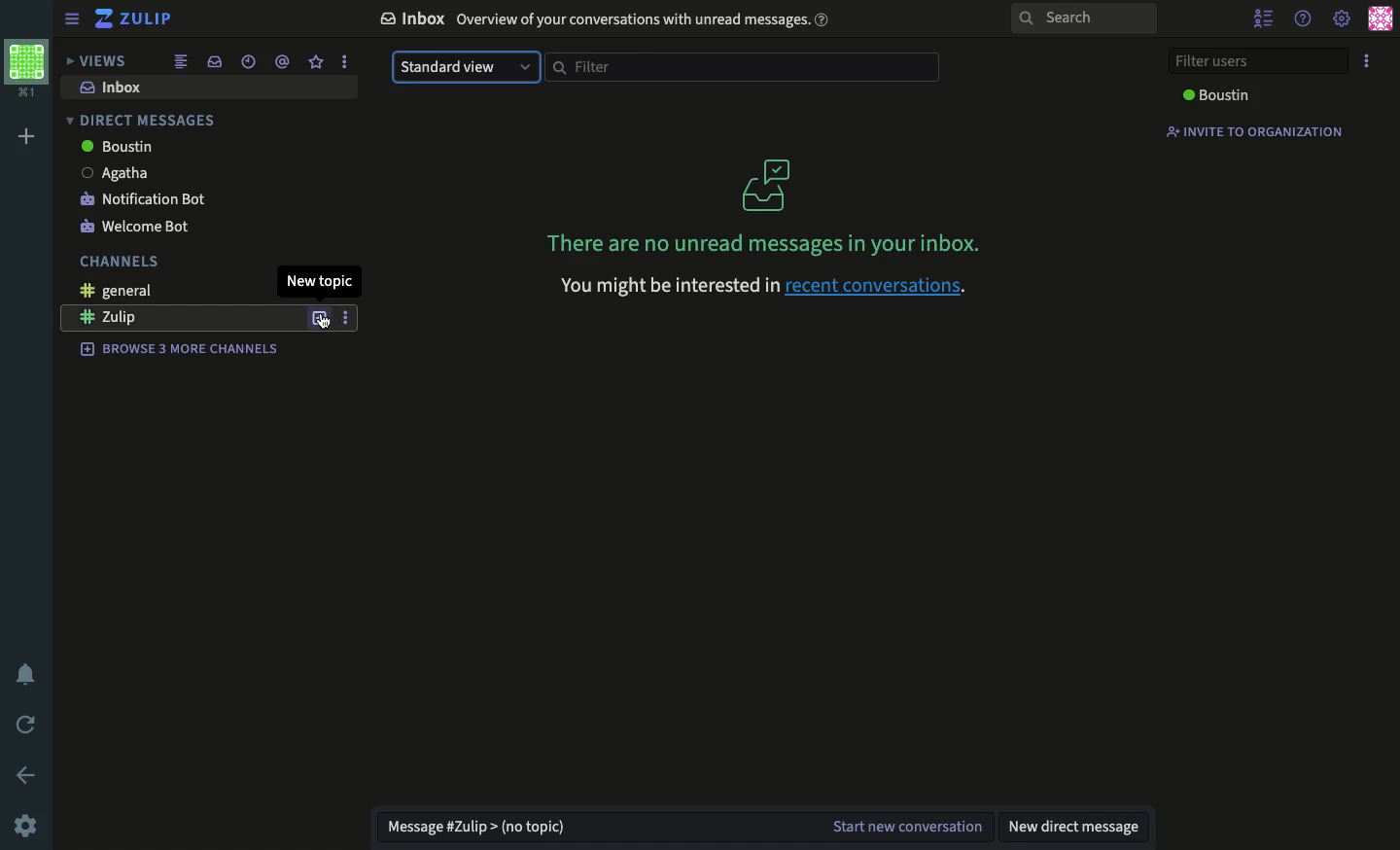 The width and height of the screenshot is (1400, 850). What do you see at coordinates (117, 172) in the screenshot?
I see `Agatha` at bounding box center [117, 172].